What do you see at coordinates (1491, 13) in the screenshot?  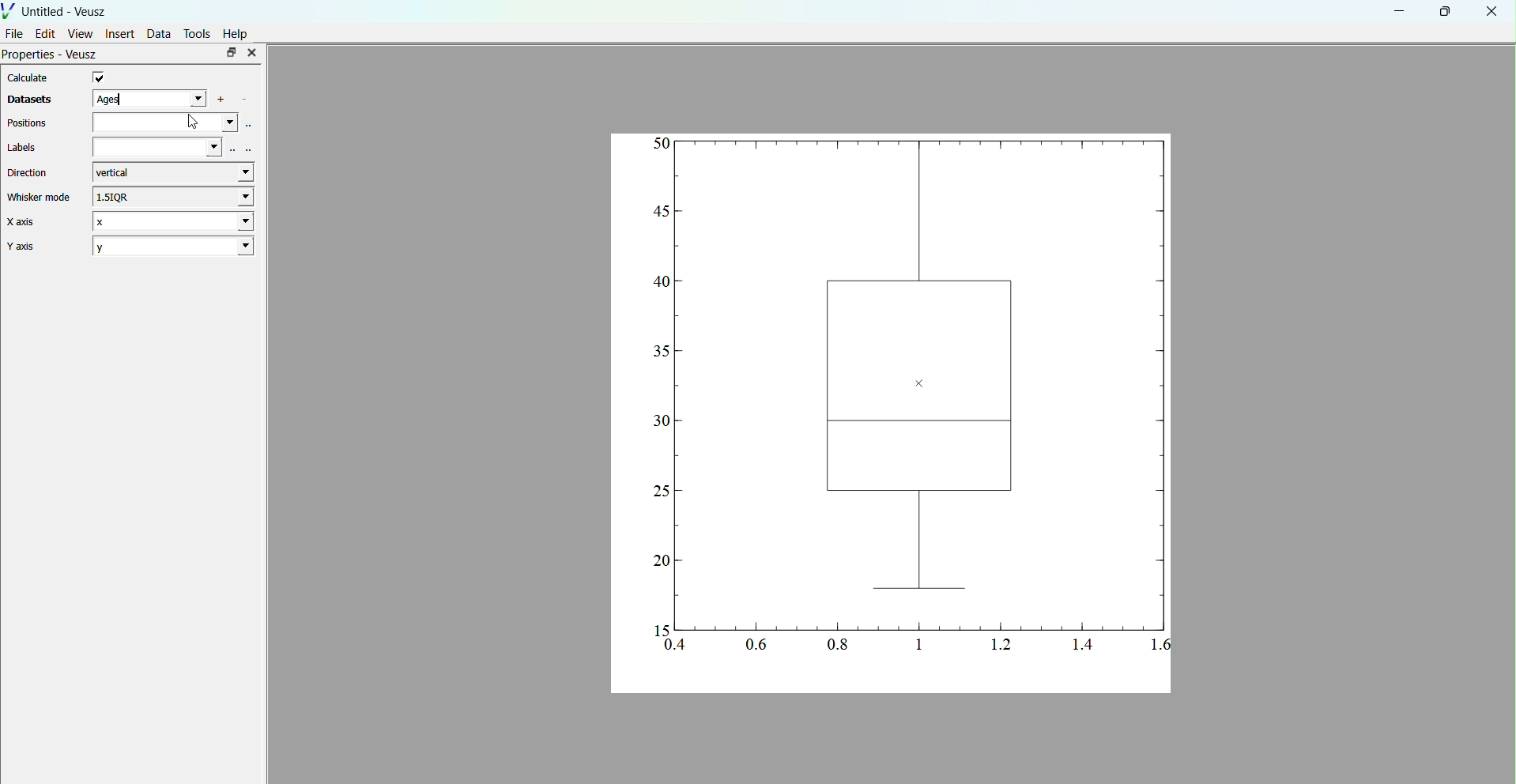 I see `close` at bounding box center [1491, 13].